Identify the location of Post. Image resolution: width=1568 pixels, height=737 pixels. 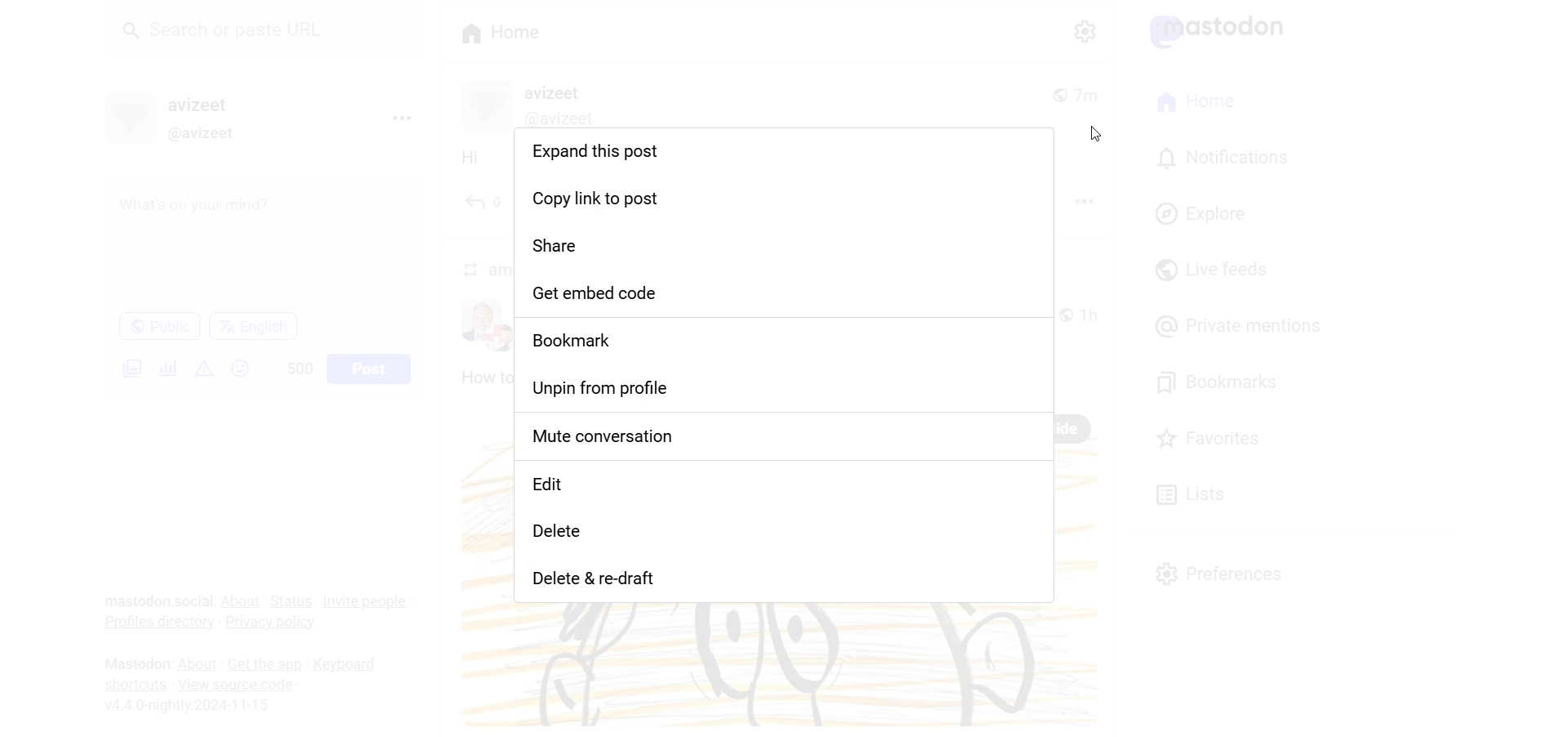
(371, 368).